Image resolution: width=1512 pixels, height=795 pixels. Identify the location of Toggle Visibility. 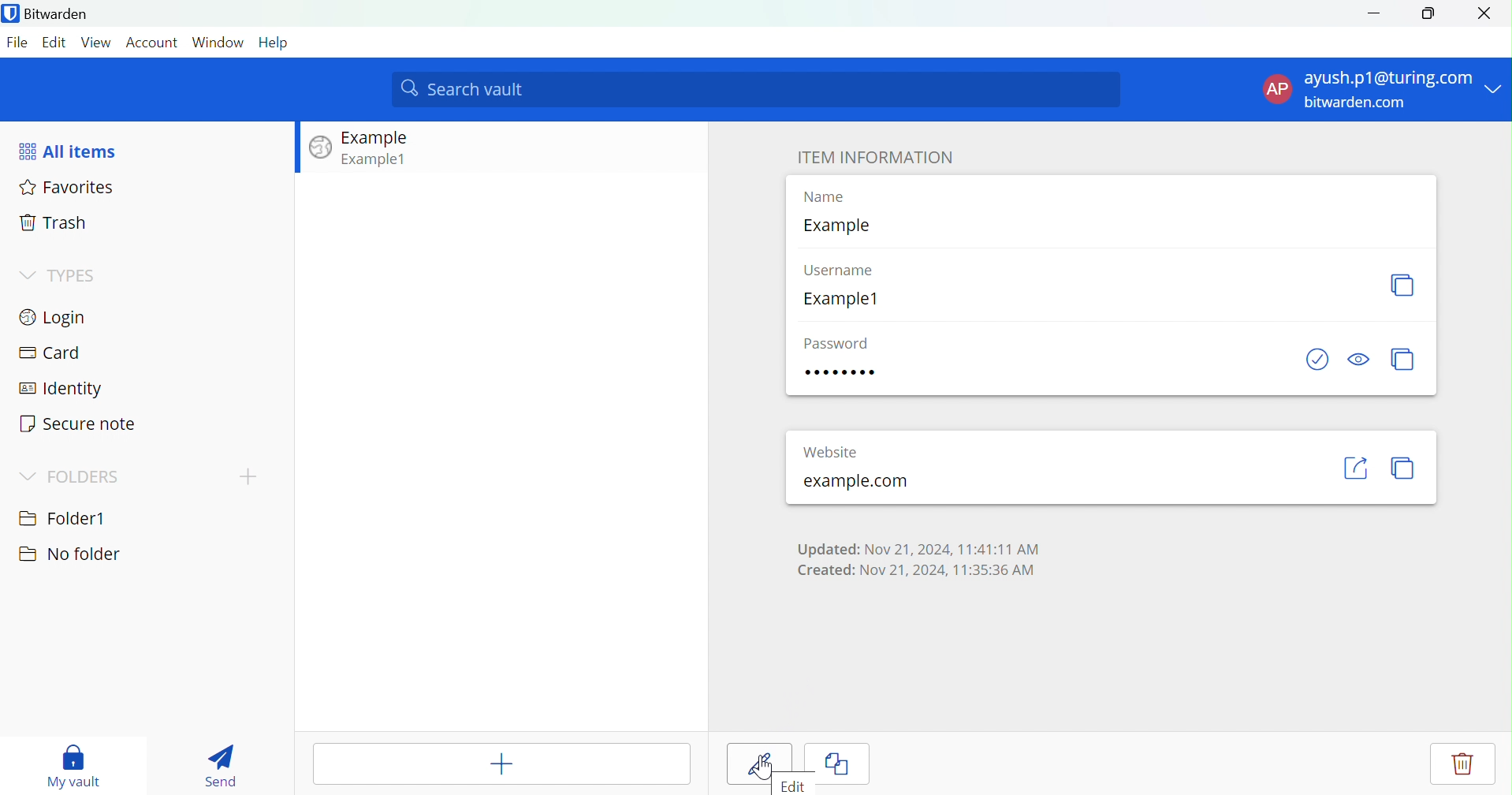
(1359, 358).